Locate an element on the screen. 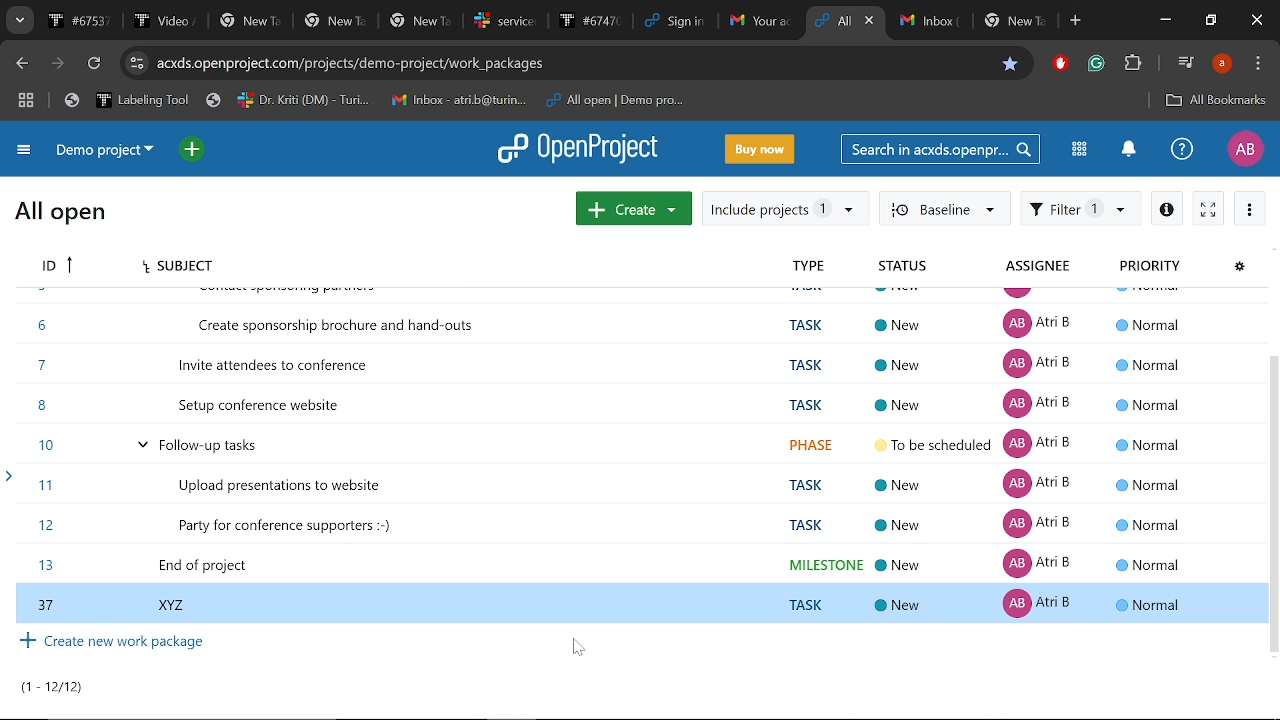 The image size is (1280, 720). Filter is located at coordinates (1082, 208).